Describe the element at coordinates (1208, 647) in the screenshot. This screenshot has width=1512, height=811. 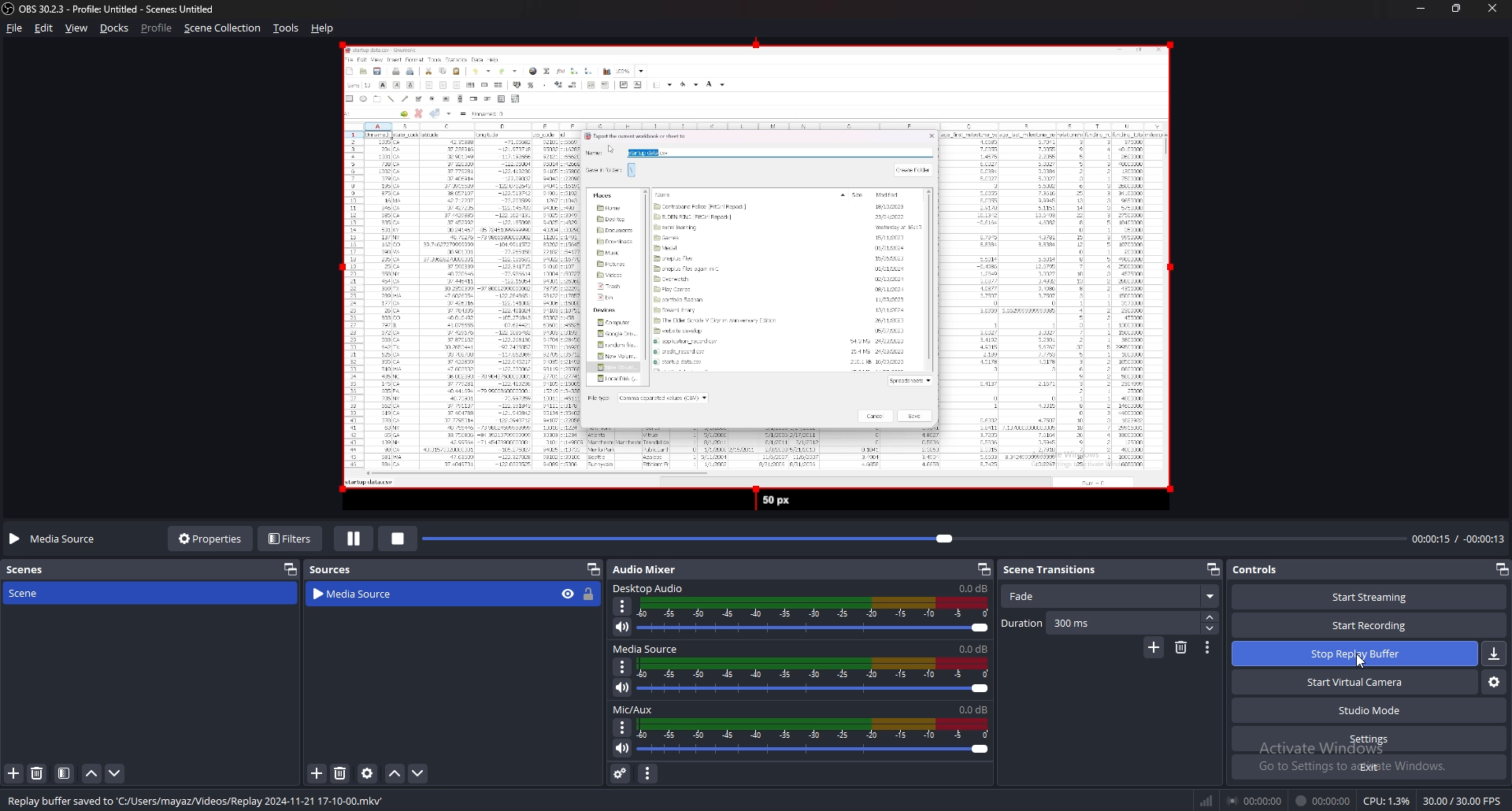
I see `transition properties` at that location.